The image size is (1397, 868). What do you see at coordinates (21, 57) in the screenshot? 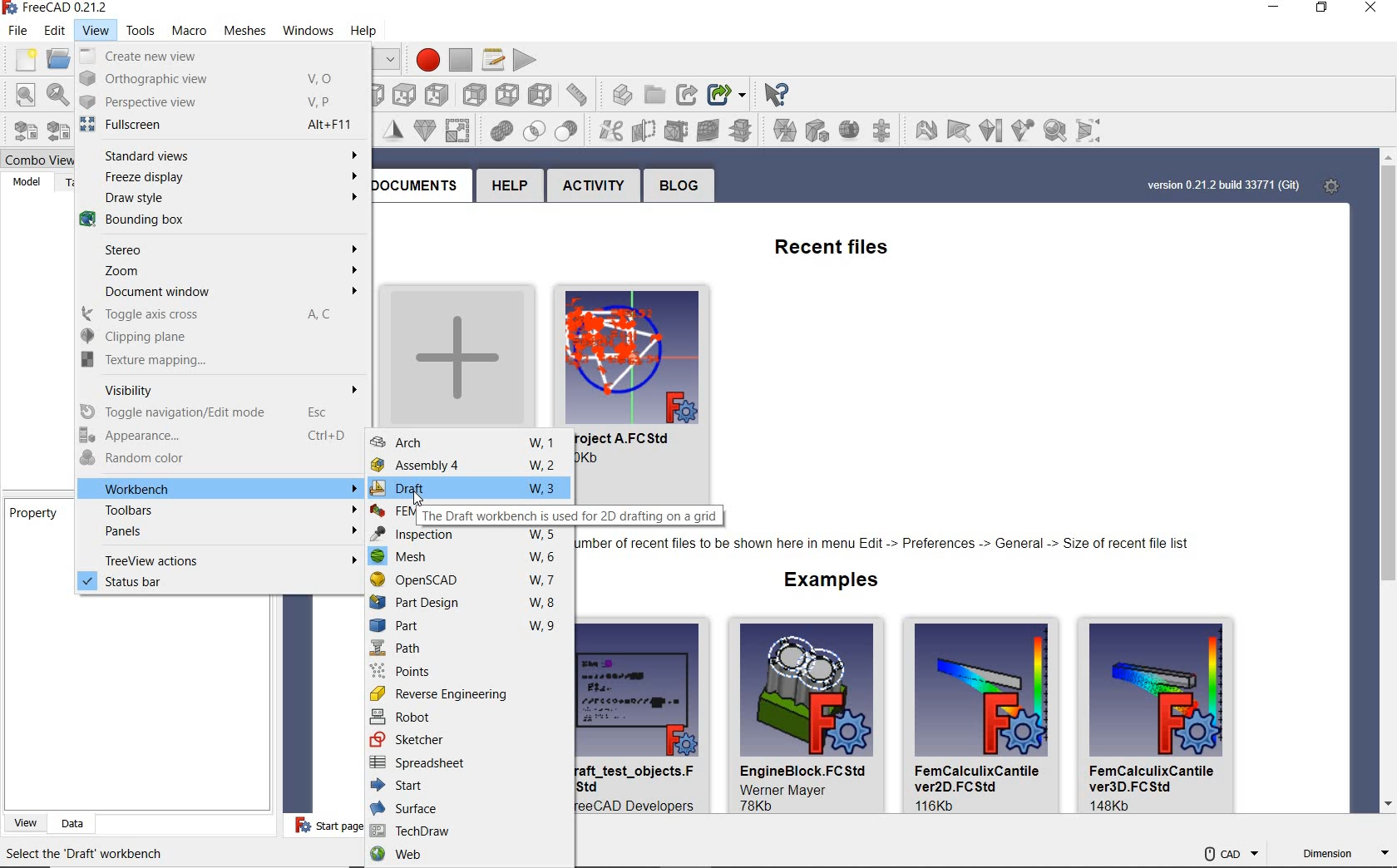
I see `new` at bounding box center [21, 57].